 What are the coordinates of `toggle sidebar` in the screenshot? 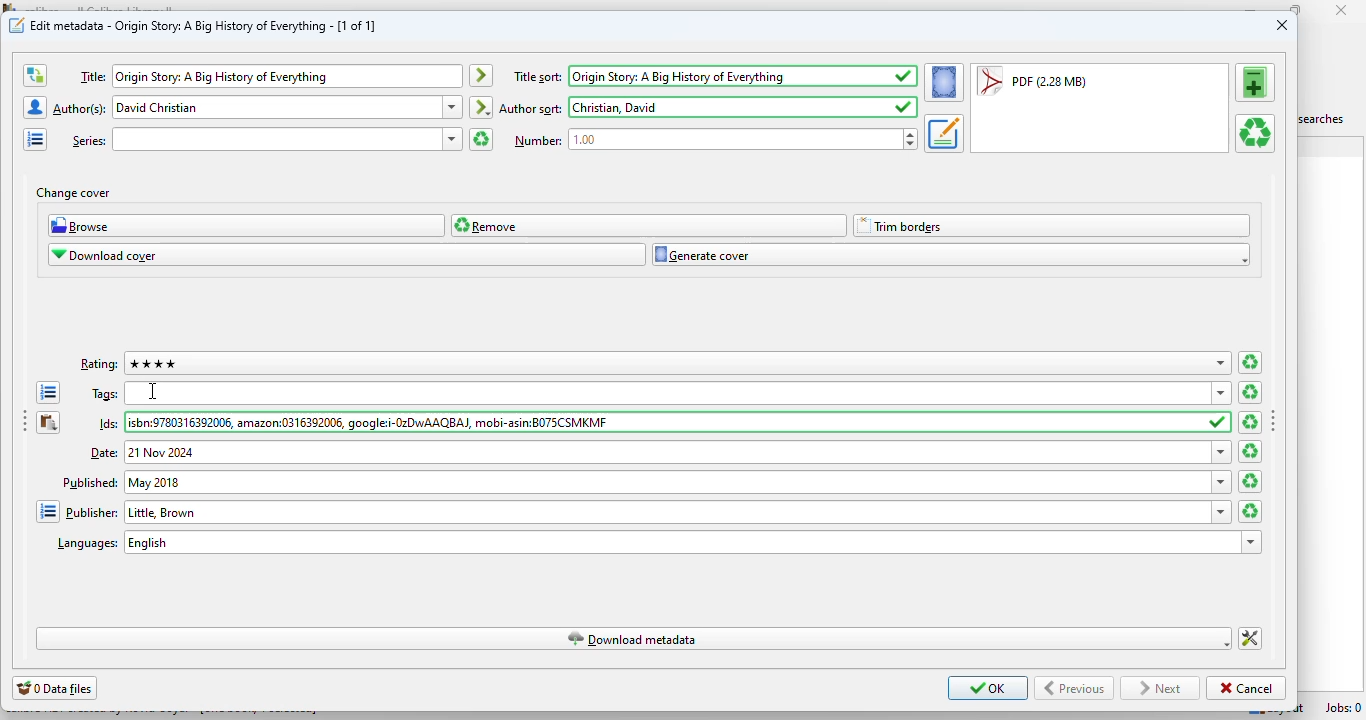 It's located at (1274, 420).